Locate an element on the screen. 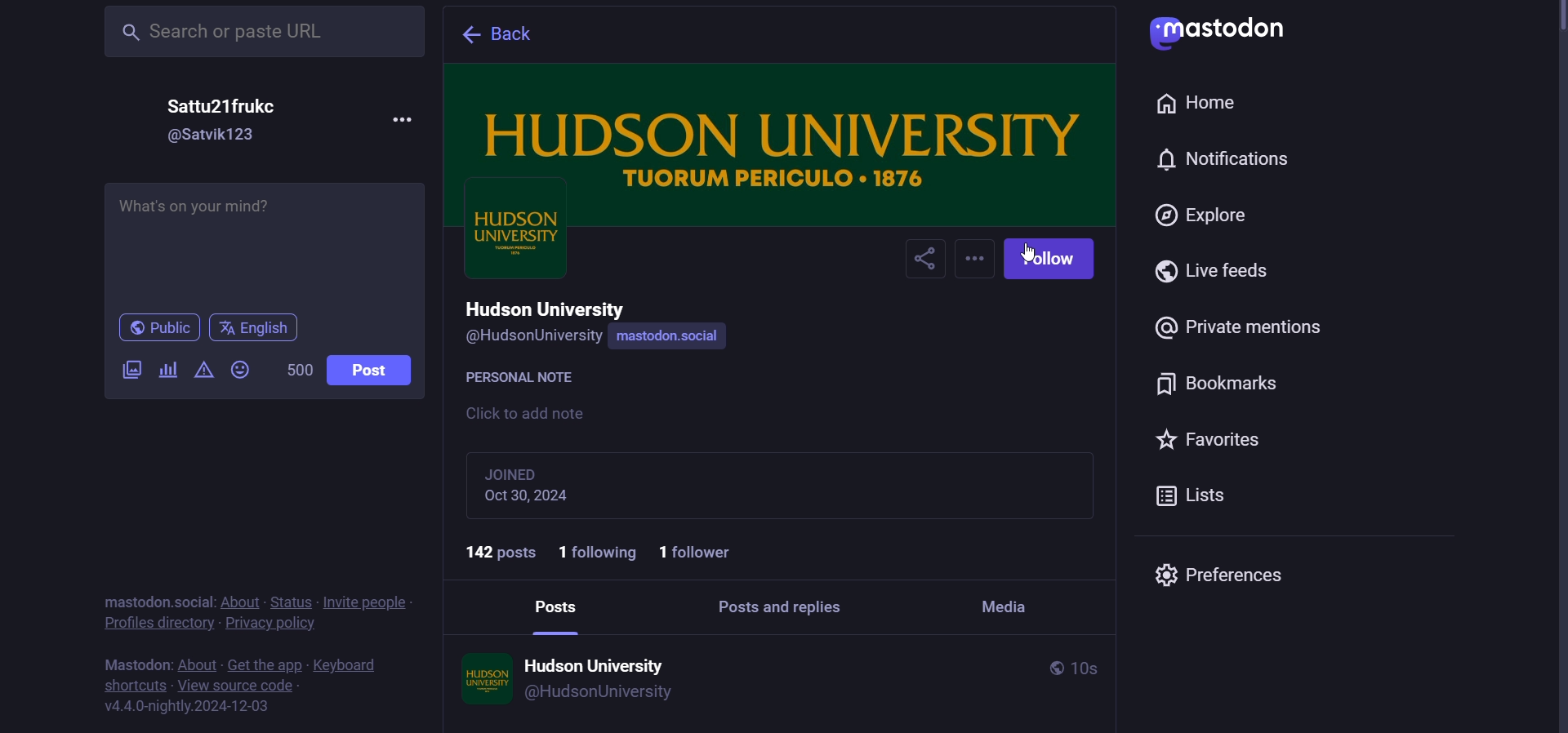 The height and width of the screenshot is (733, 1568). personal note is located at coordinates (524, 375).